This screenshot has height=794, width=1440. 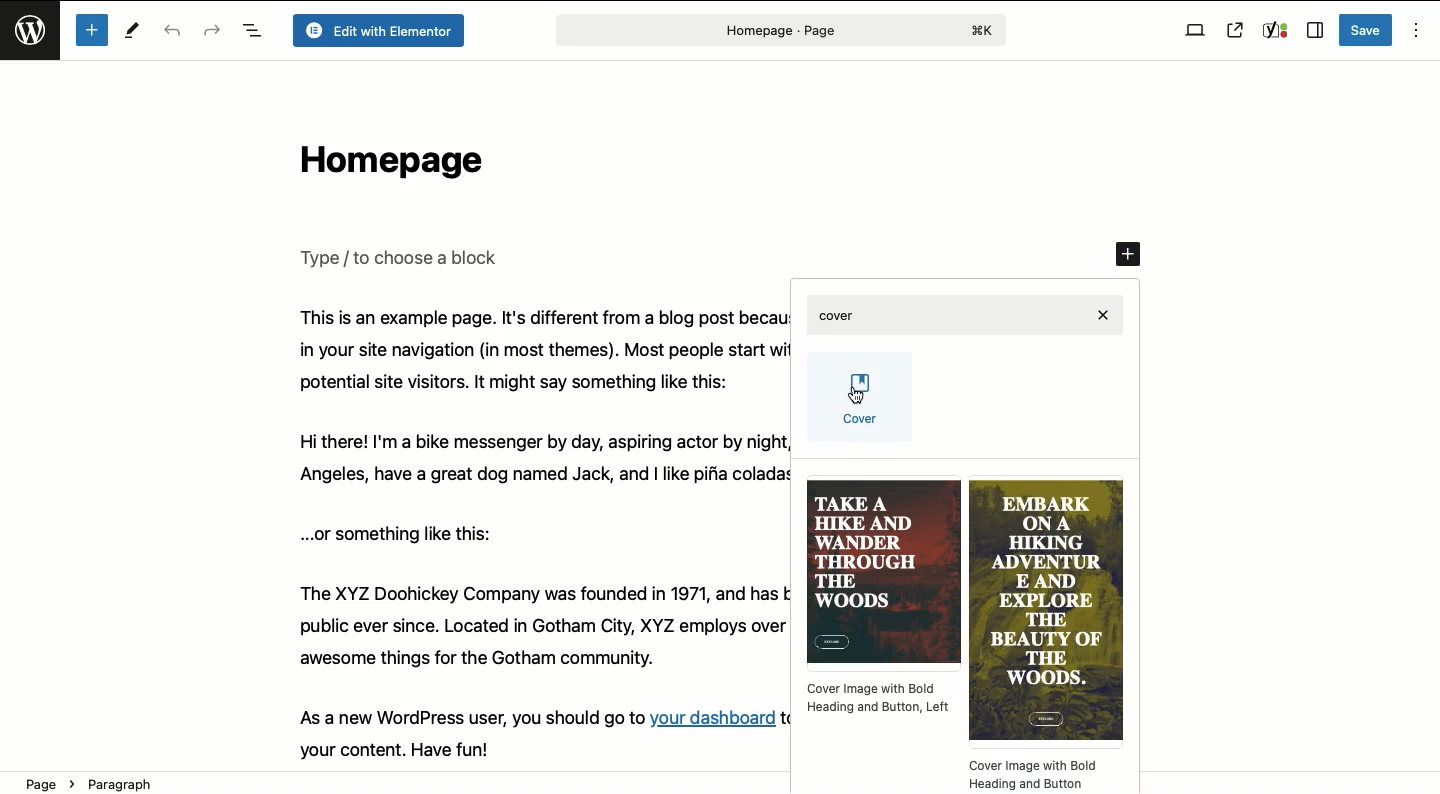 I want to click on Redo, so click(x=212, y=29).